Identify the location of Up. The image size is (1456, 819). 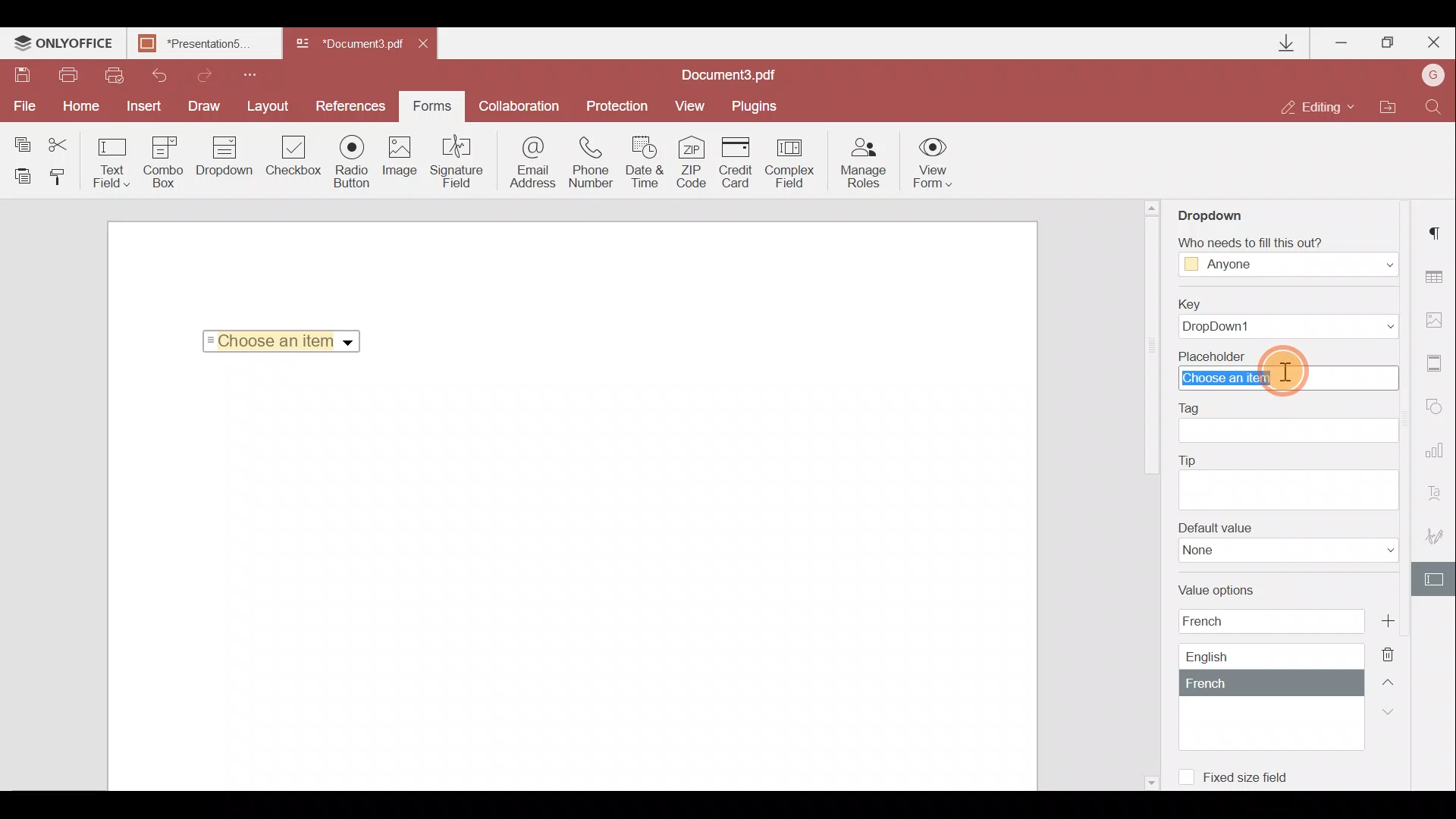
(1392, 680).